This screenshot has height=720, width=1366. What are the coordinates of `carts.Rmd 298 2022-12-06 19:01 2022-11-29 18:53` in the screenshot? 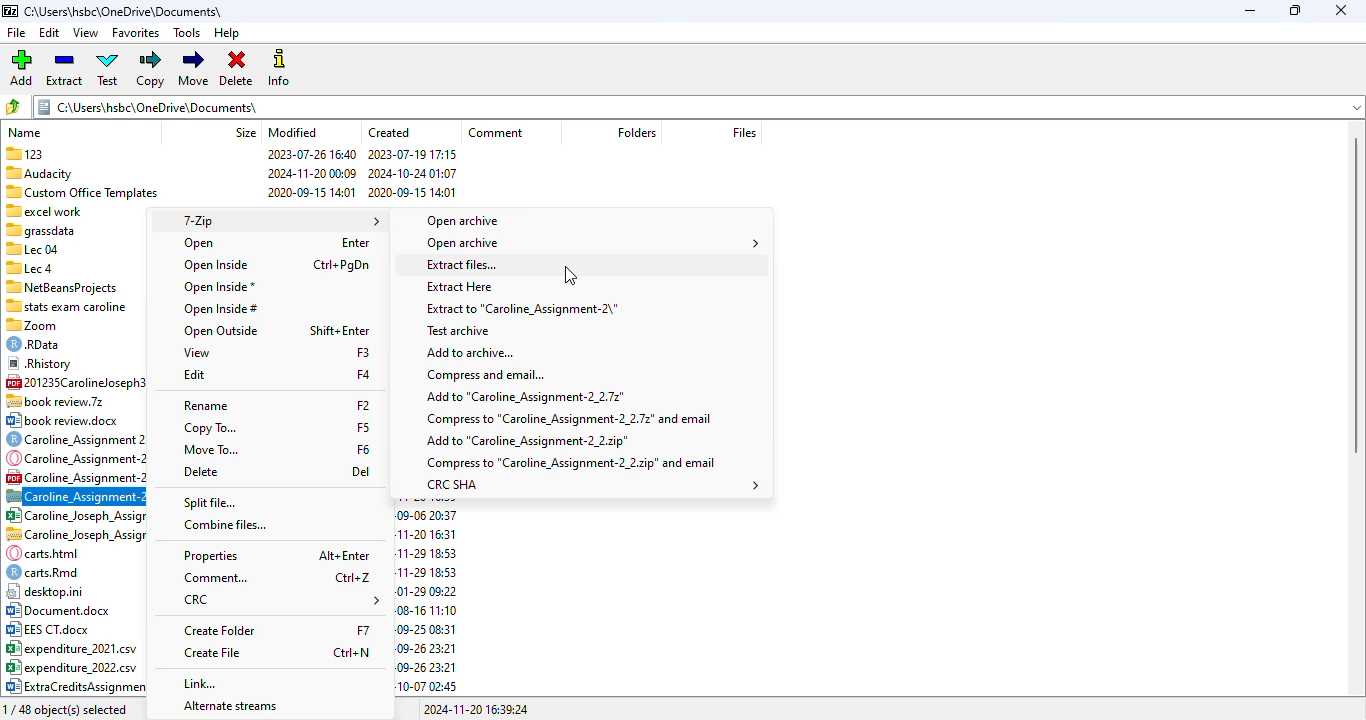 It's located at (73, 572).